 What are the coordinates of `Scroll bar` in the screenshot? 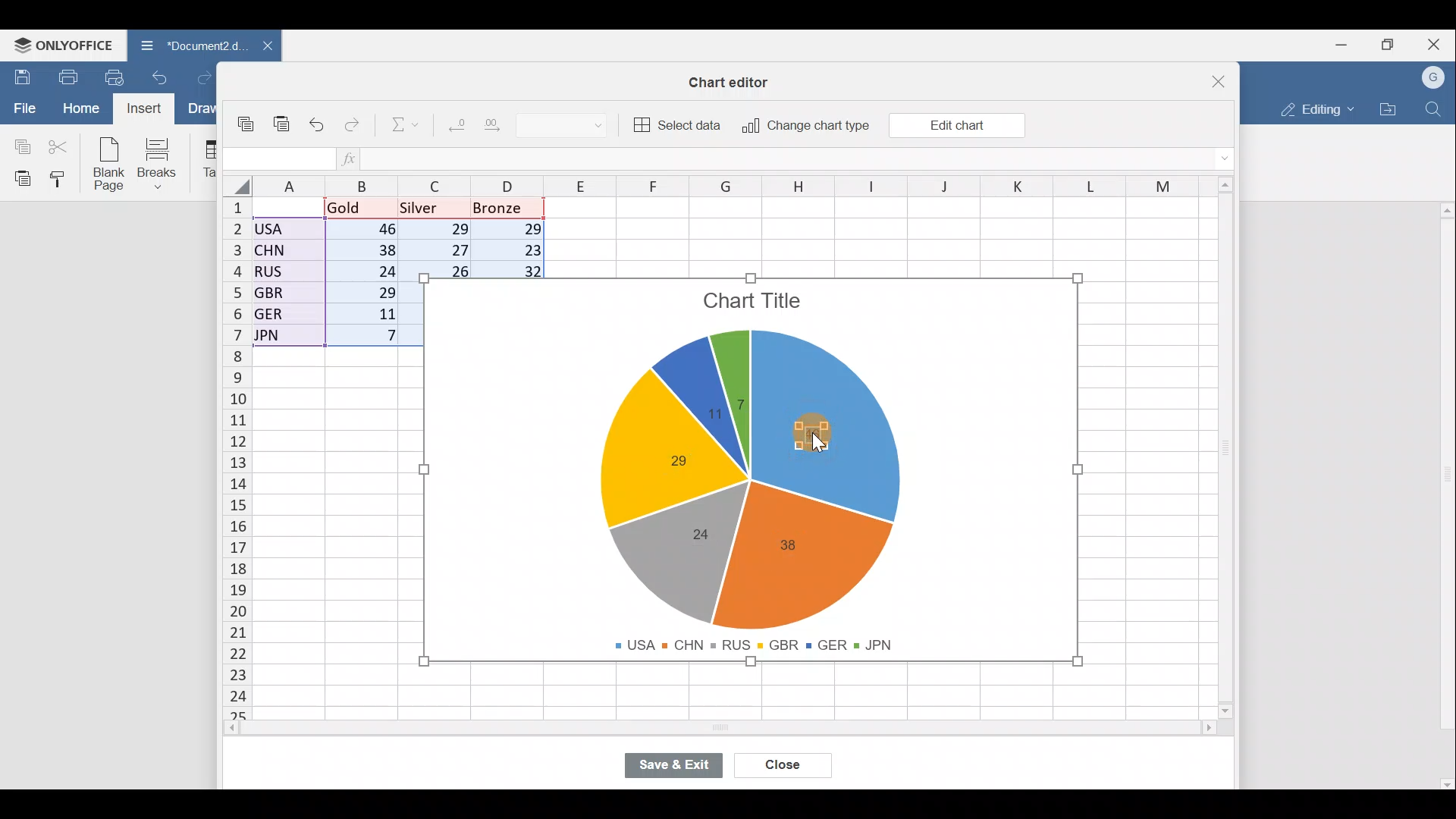 It's located at (1442, 490).